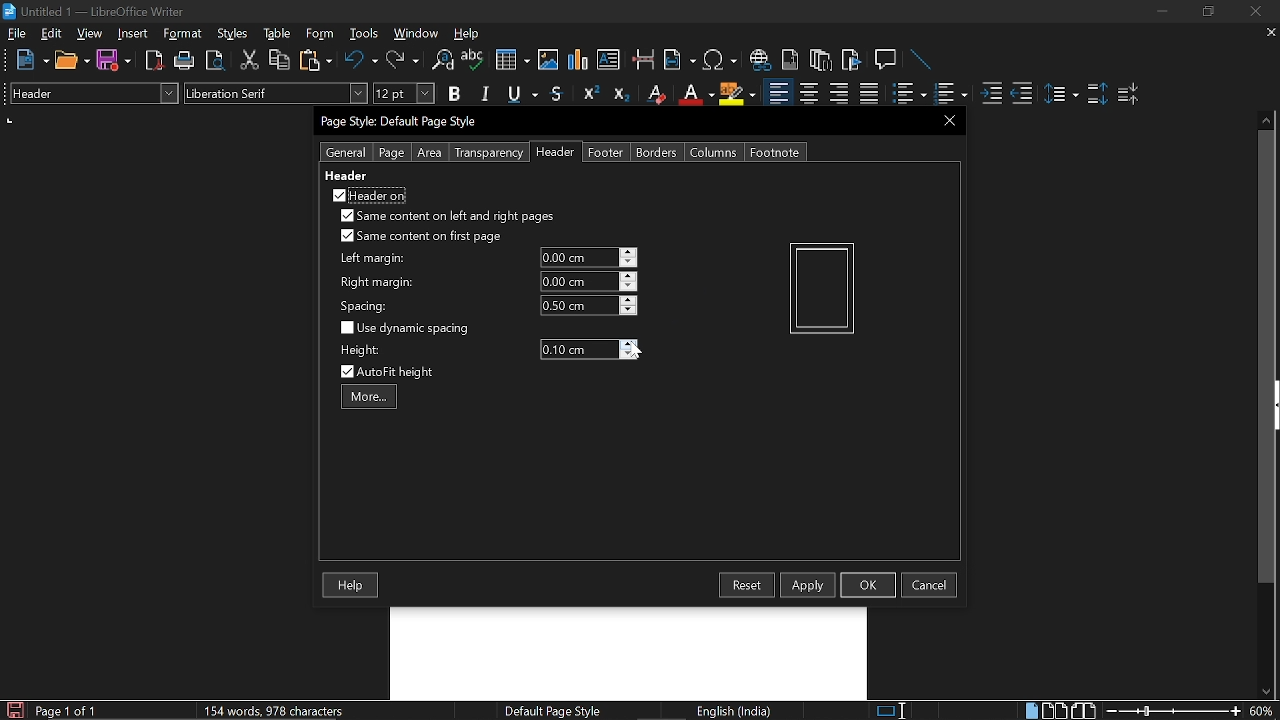 This screenshot has height=720, width=1280. What do you see at coordinates (1276, 405) in the screenshot?
I see `sidebar menu` at bounding box center [1276, 405].